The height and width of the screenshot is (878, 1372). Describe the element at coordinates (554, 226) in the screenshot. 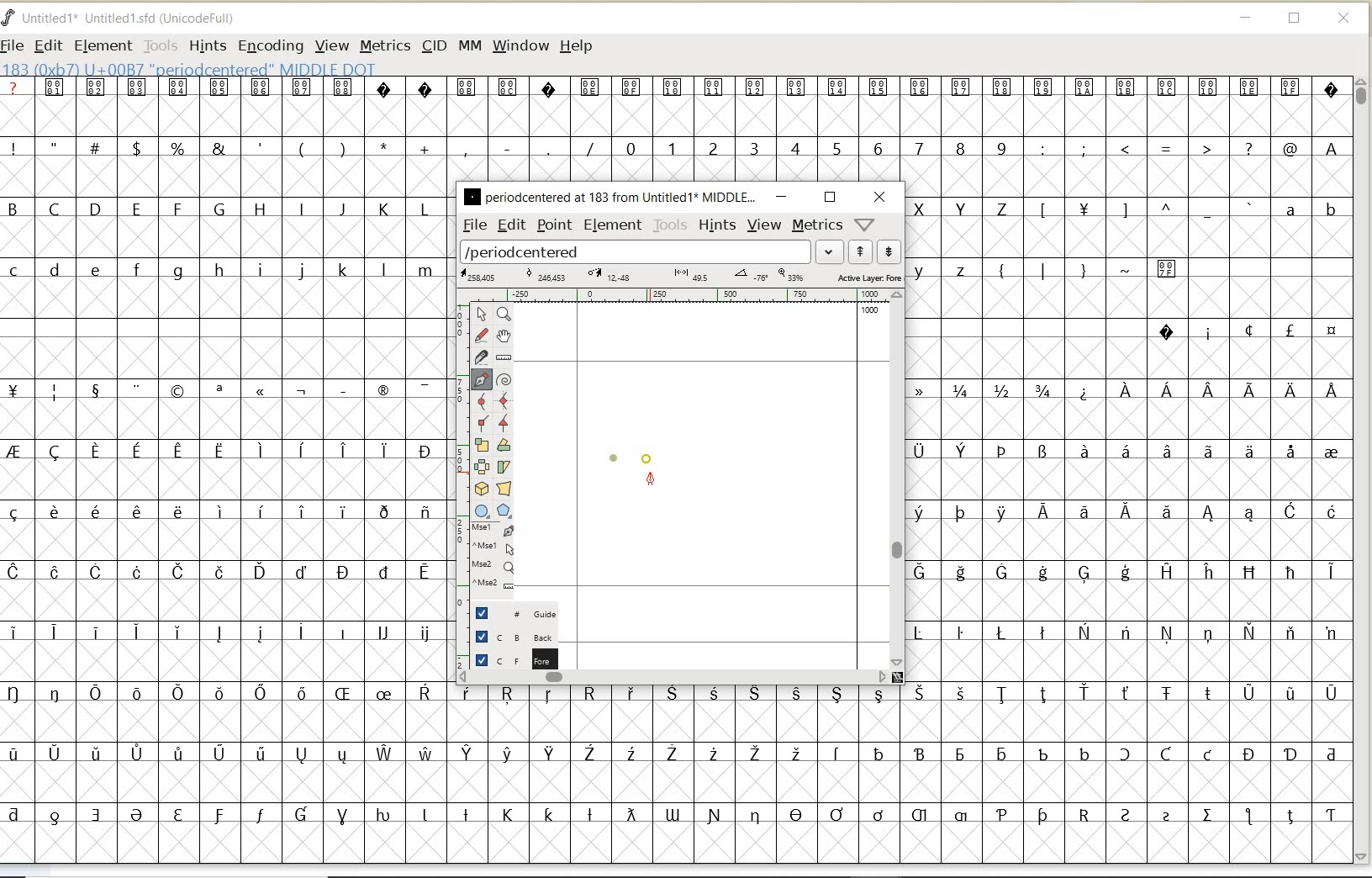

I see `point` at that location.